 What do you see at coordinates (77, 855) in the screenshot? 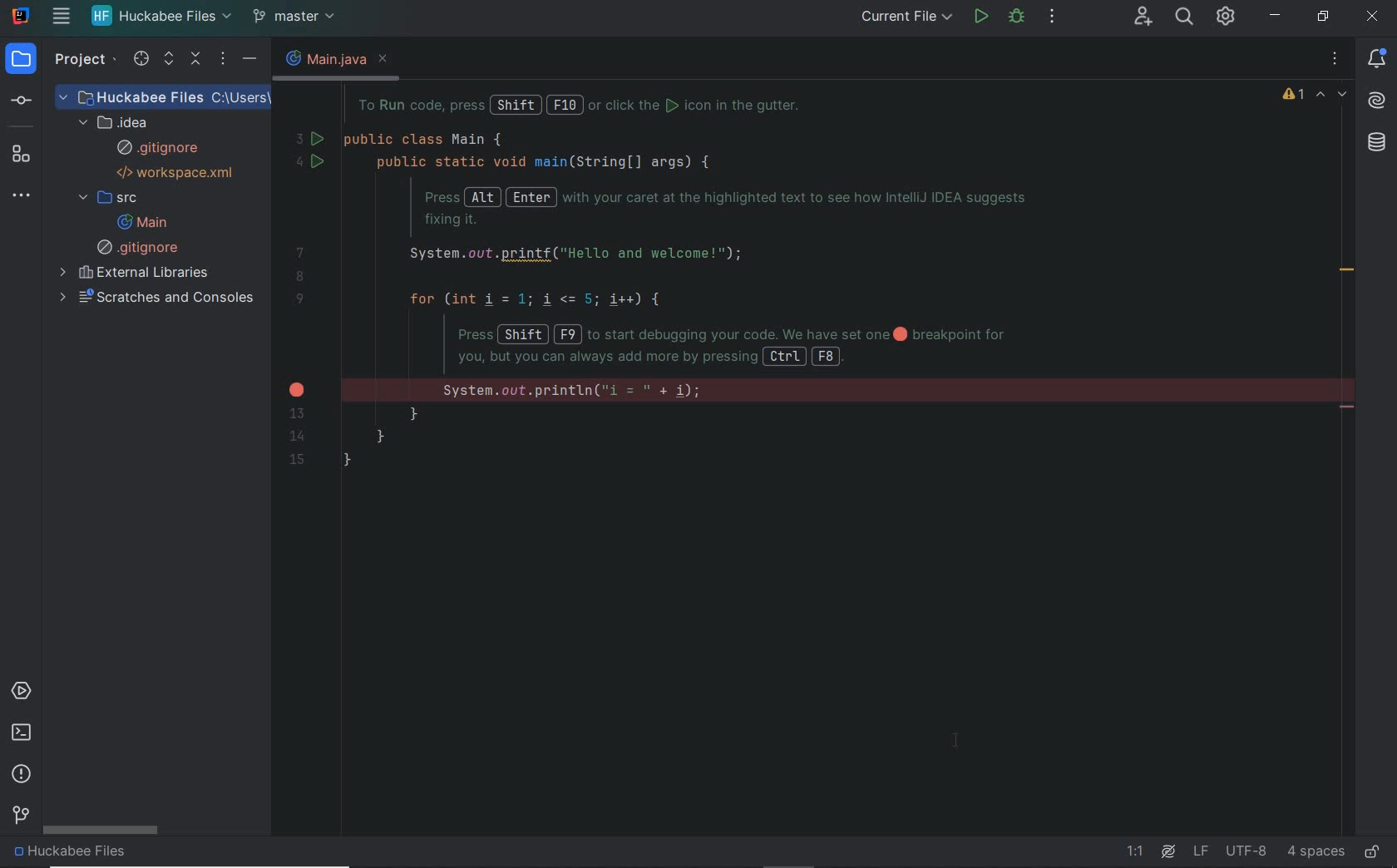
I see `project file name` at bounding box center [77, 855].